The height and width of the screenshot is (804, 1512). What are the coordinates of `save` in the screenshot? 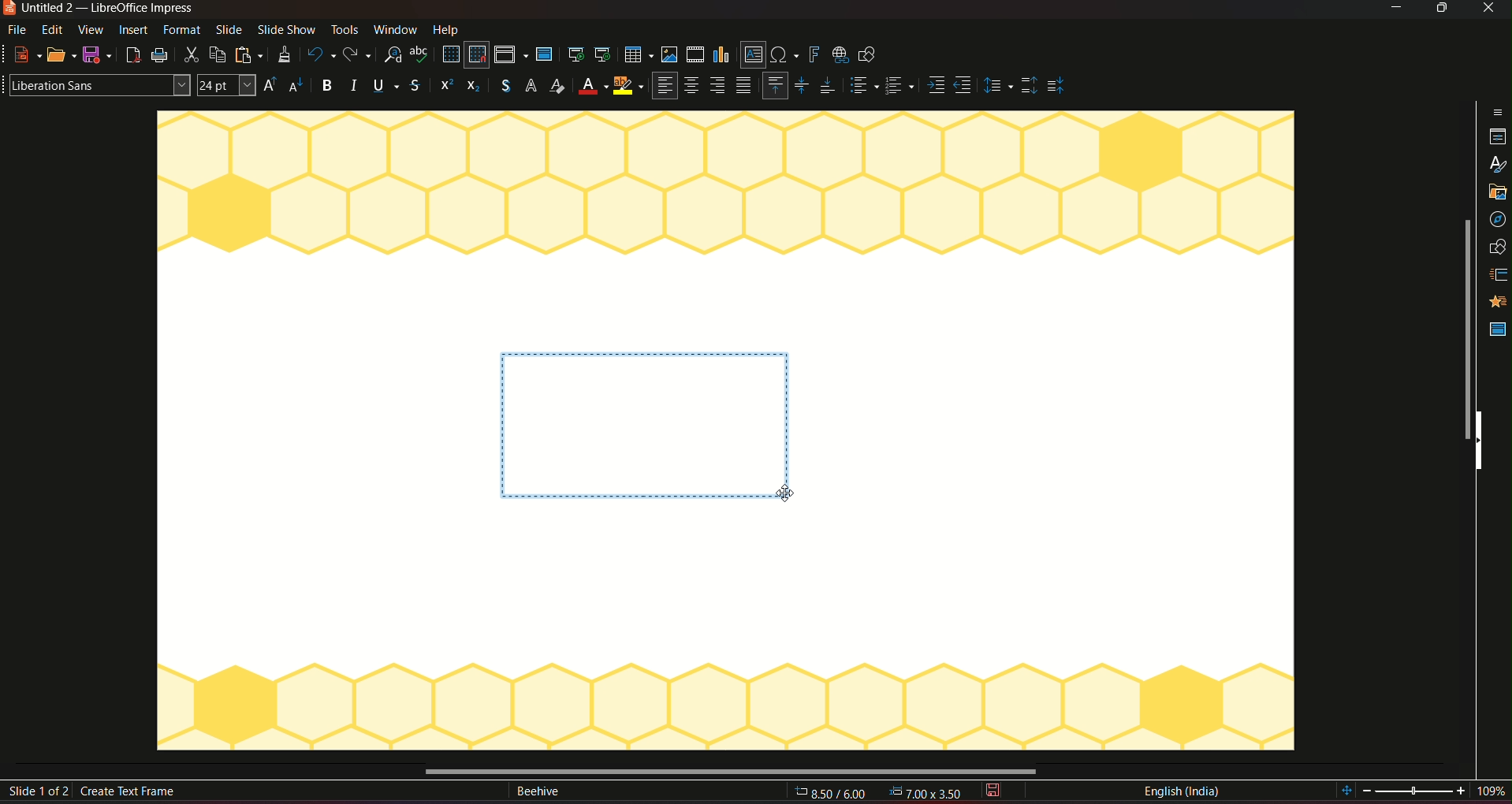 It's located at (996, 791).